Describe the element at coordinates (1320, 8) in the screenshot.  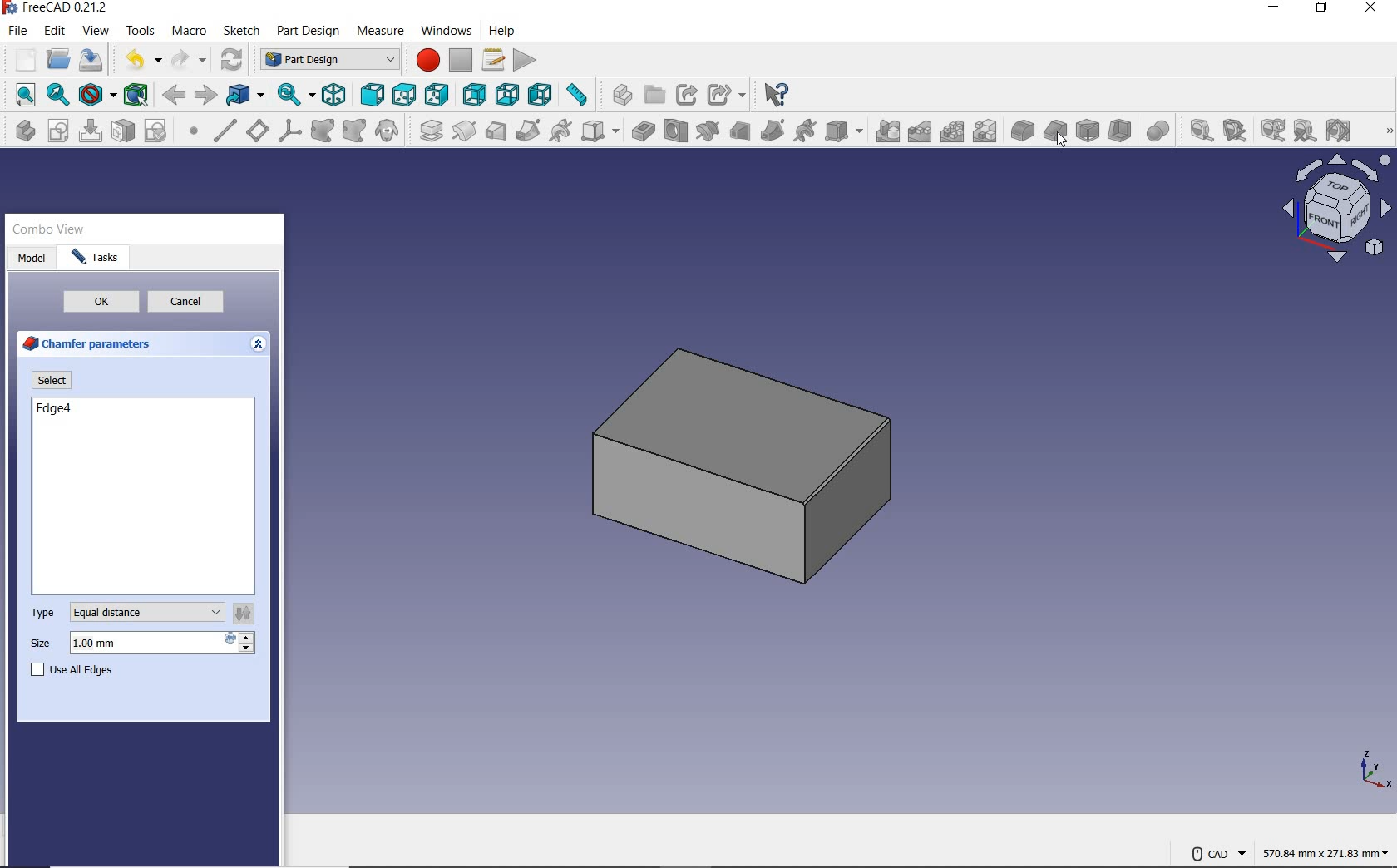
I see `restore down` at that location.